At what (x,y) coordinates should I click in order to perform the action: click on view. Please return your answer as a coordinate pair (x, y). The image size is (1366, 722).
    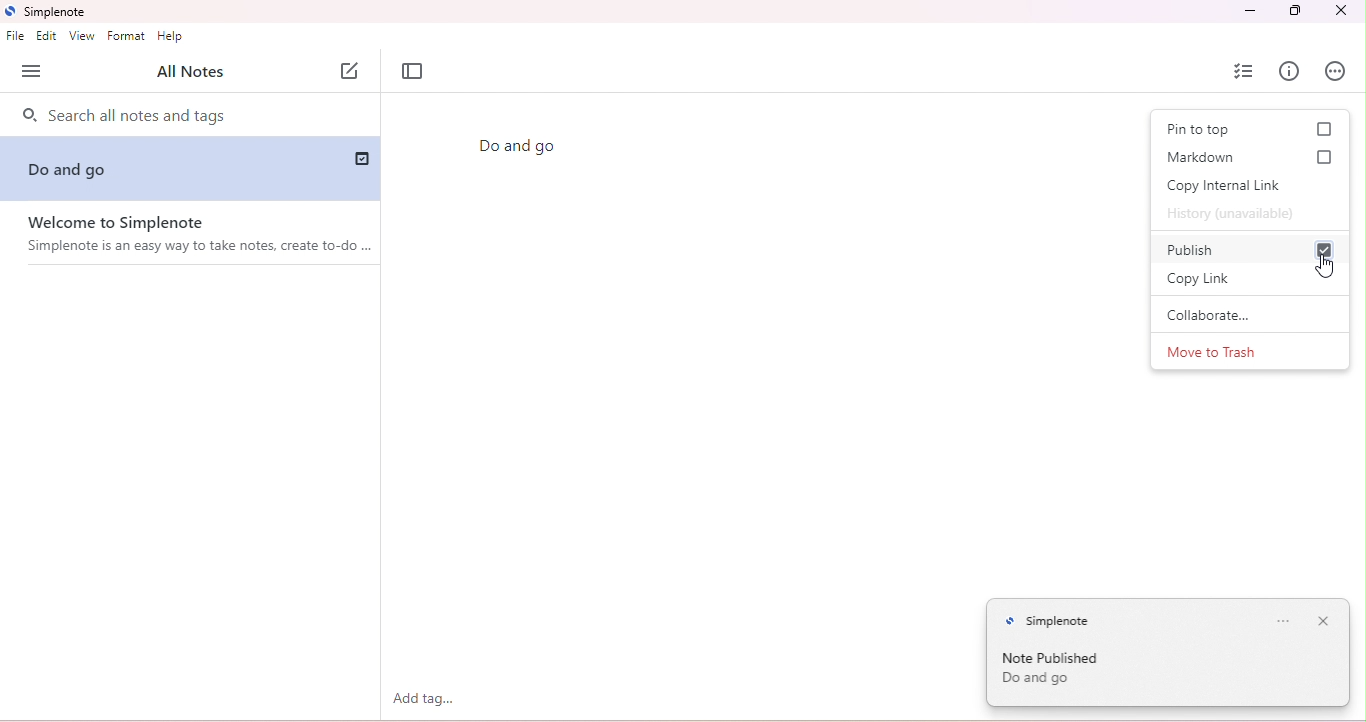
    Looking at the image, I should click on (82, 36).